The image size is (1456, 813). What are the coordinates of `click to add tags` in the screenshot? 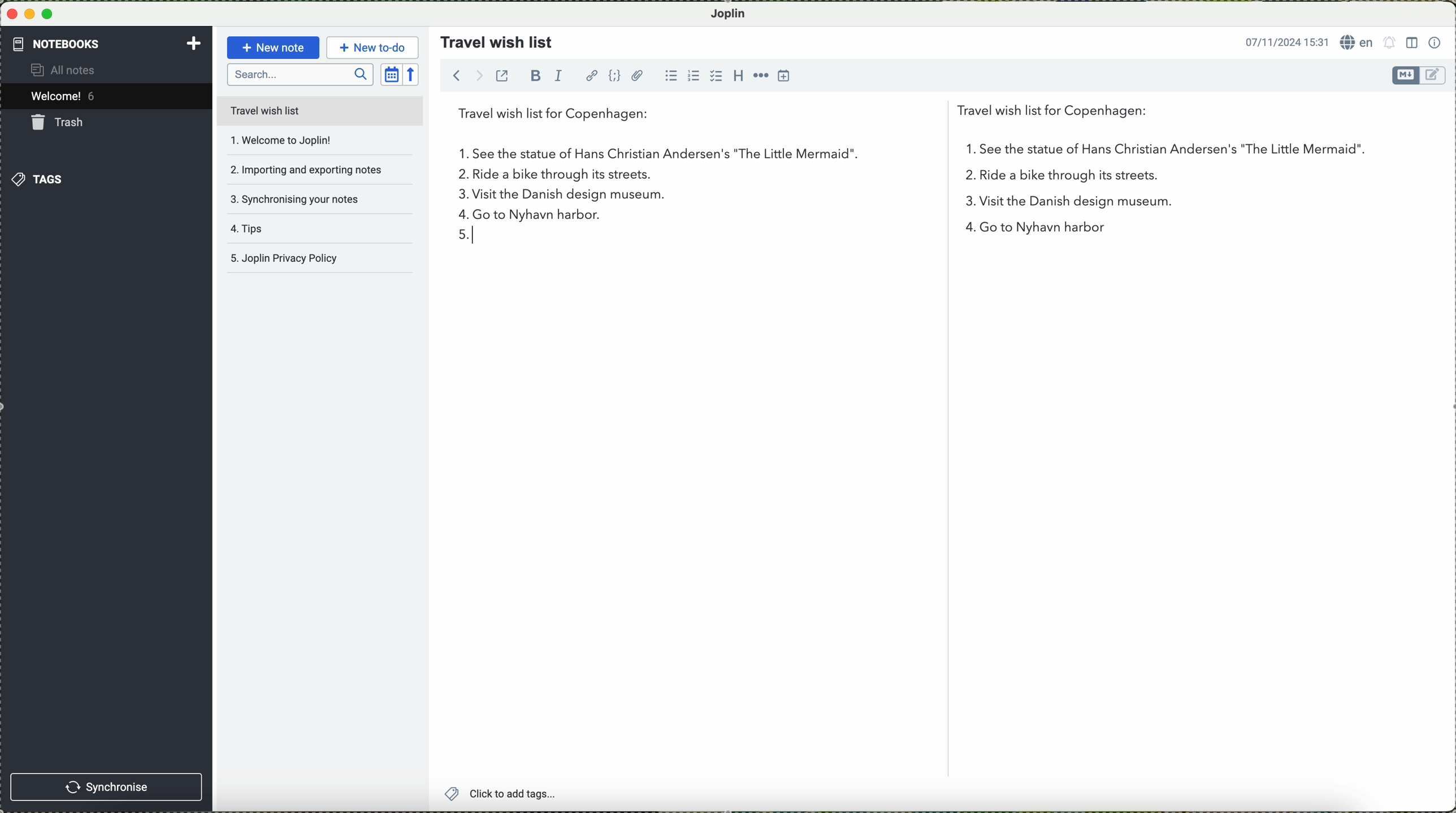 It's located at (530, 794).